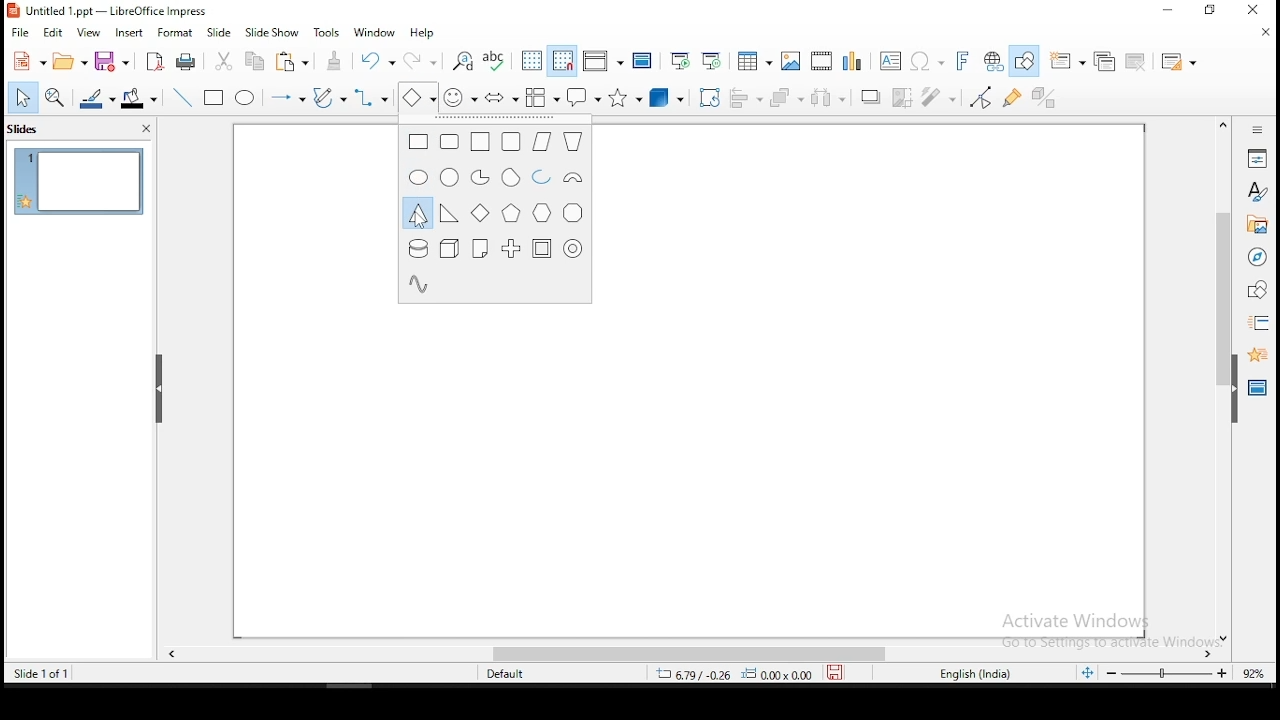 The image size is (1280, 720). What do you see at coordinates (777, 675) in the screenshot?
I see `0.00x 0.00` at bounding box center [777, 675].